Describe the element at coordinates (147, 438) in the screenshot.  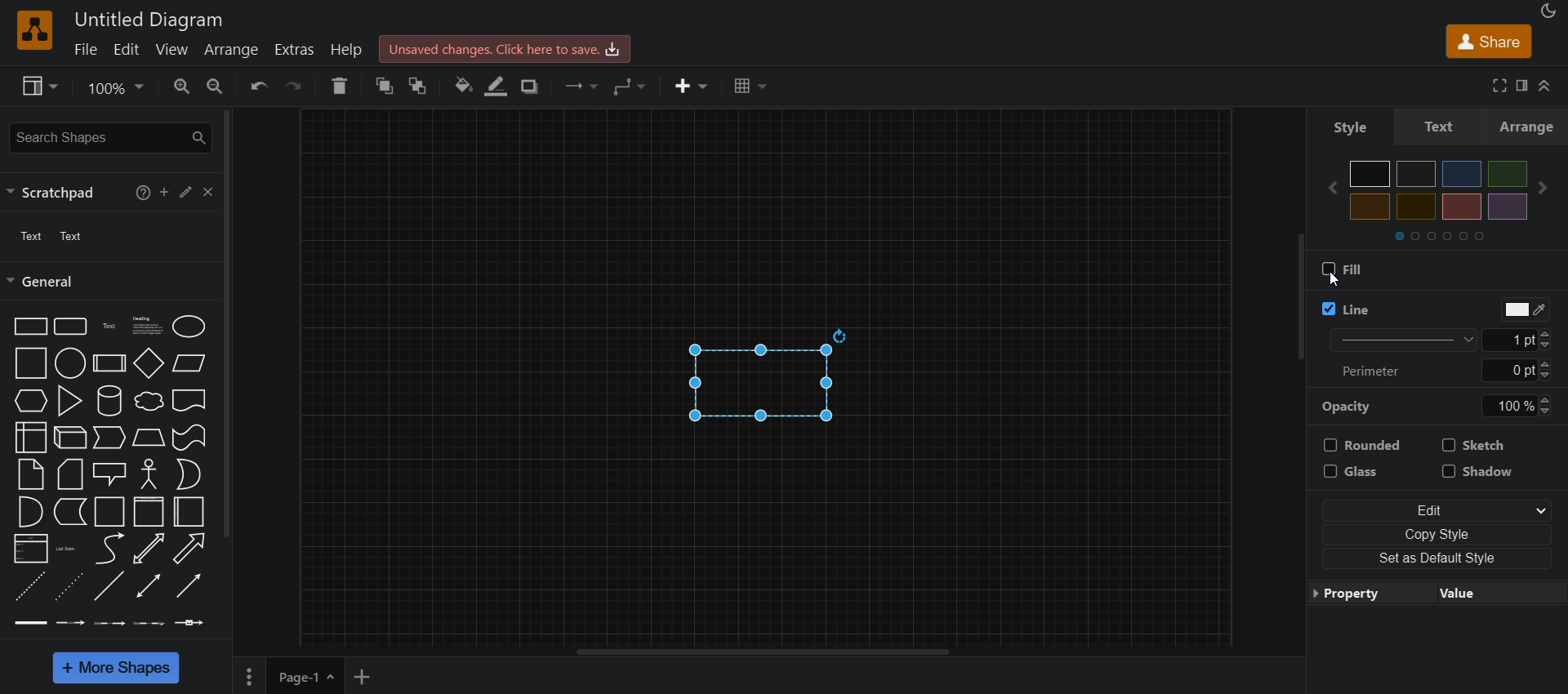
I see `trapezoid` at that location.